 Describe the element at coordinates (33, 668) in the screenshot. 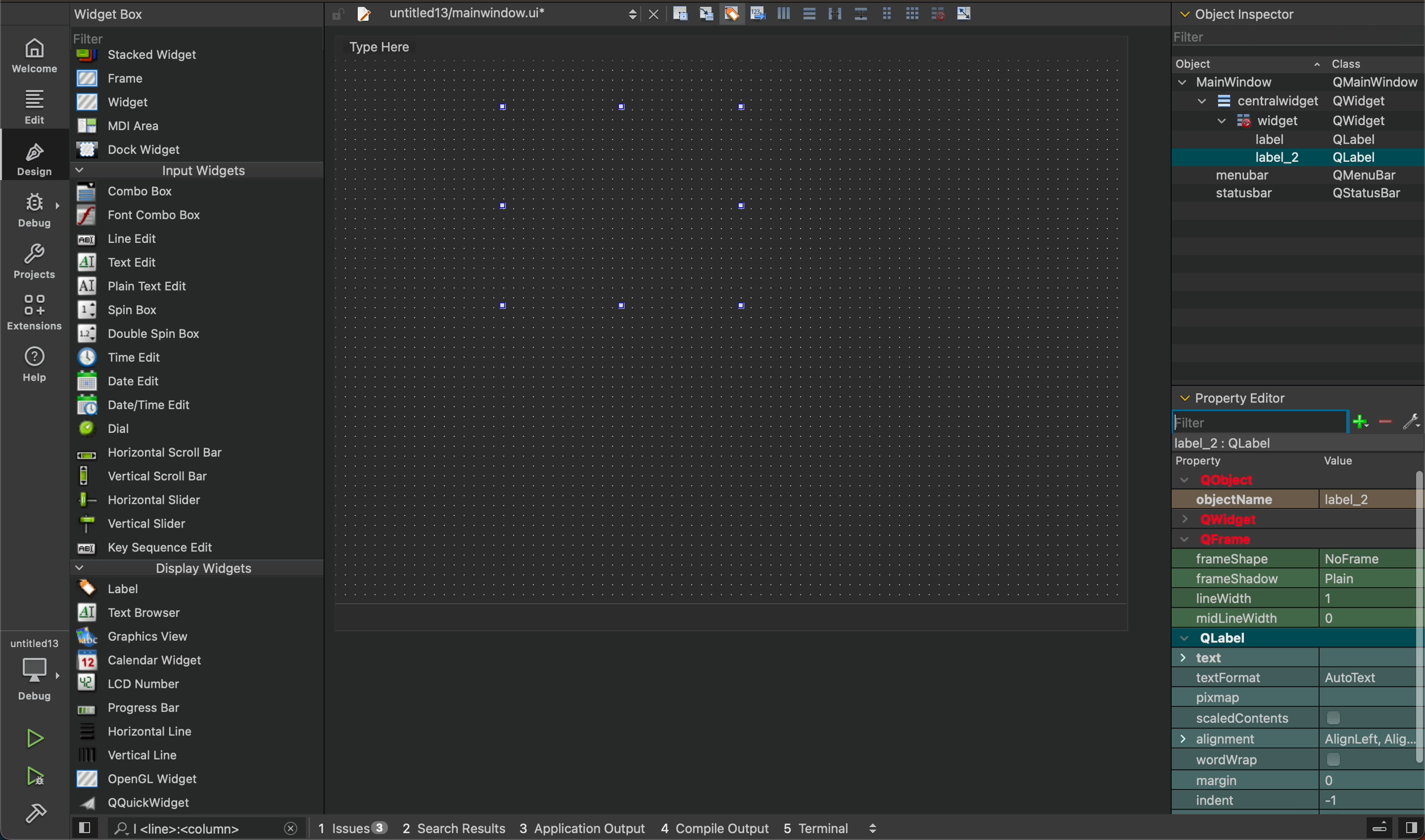

I see `debugger` at that location.